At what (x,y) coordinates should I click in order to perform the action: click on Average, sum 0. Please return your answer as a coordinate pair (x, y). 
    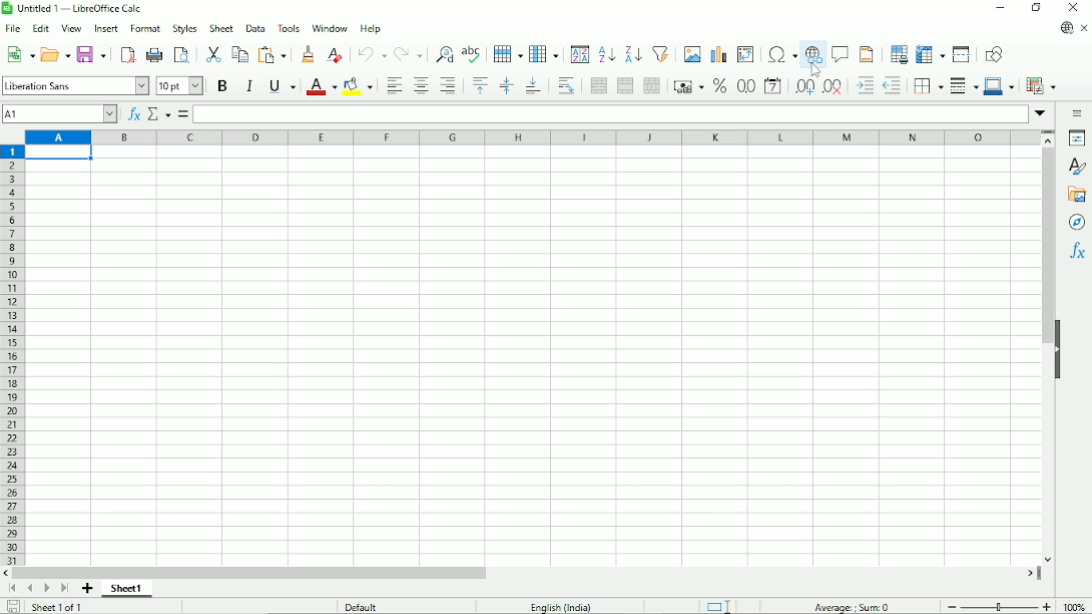
    Looking at the image, I should click on (854, 607).